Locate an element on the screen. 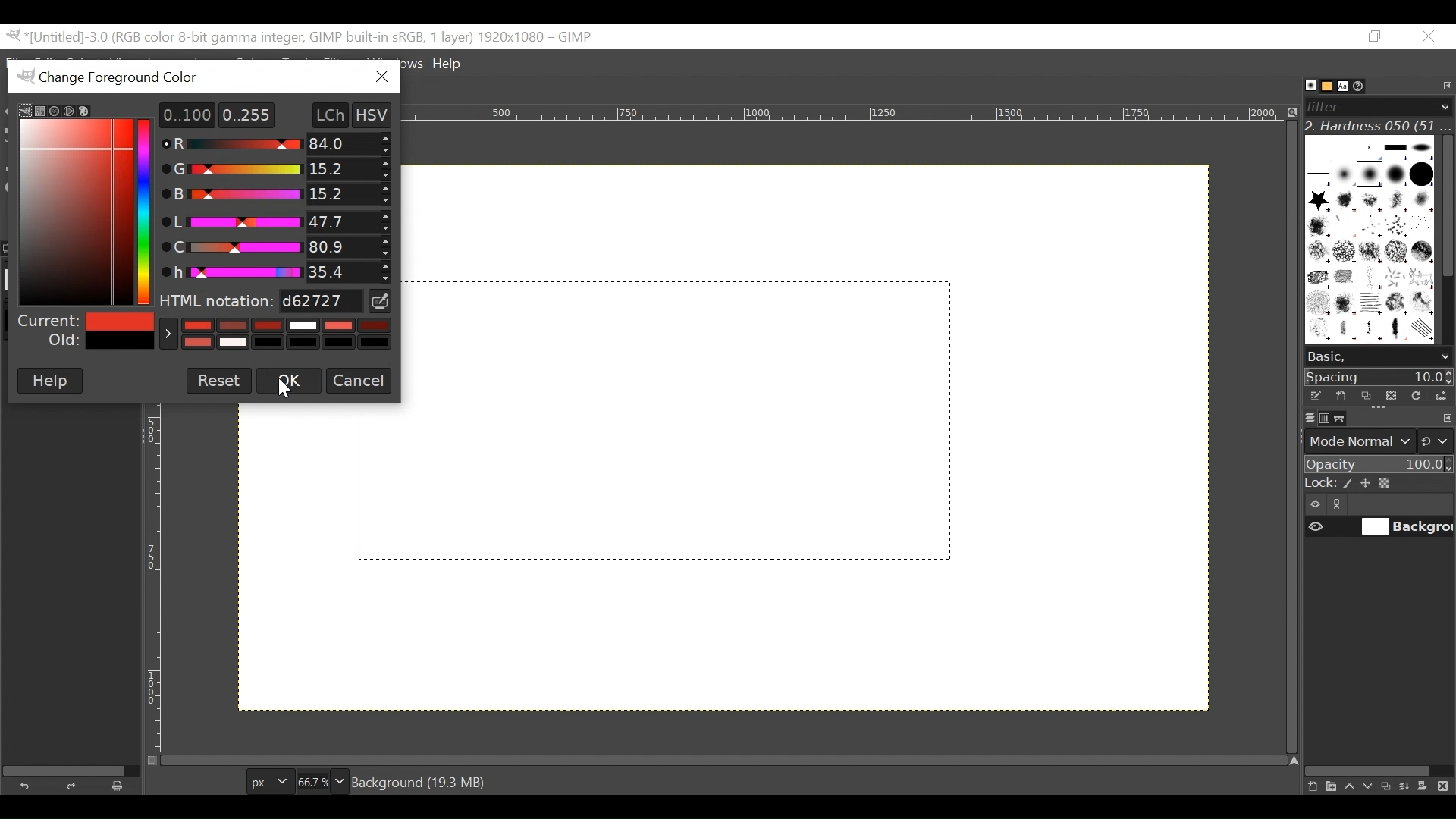 This screenshot has width=1456, height=819. Refresh is located at coordinates (1414, 394).